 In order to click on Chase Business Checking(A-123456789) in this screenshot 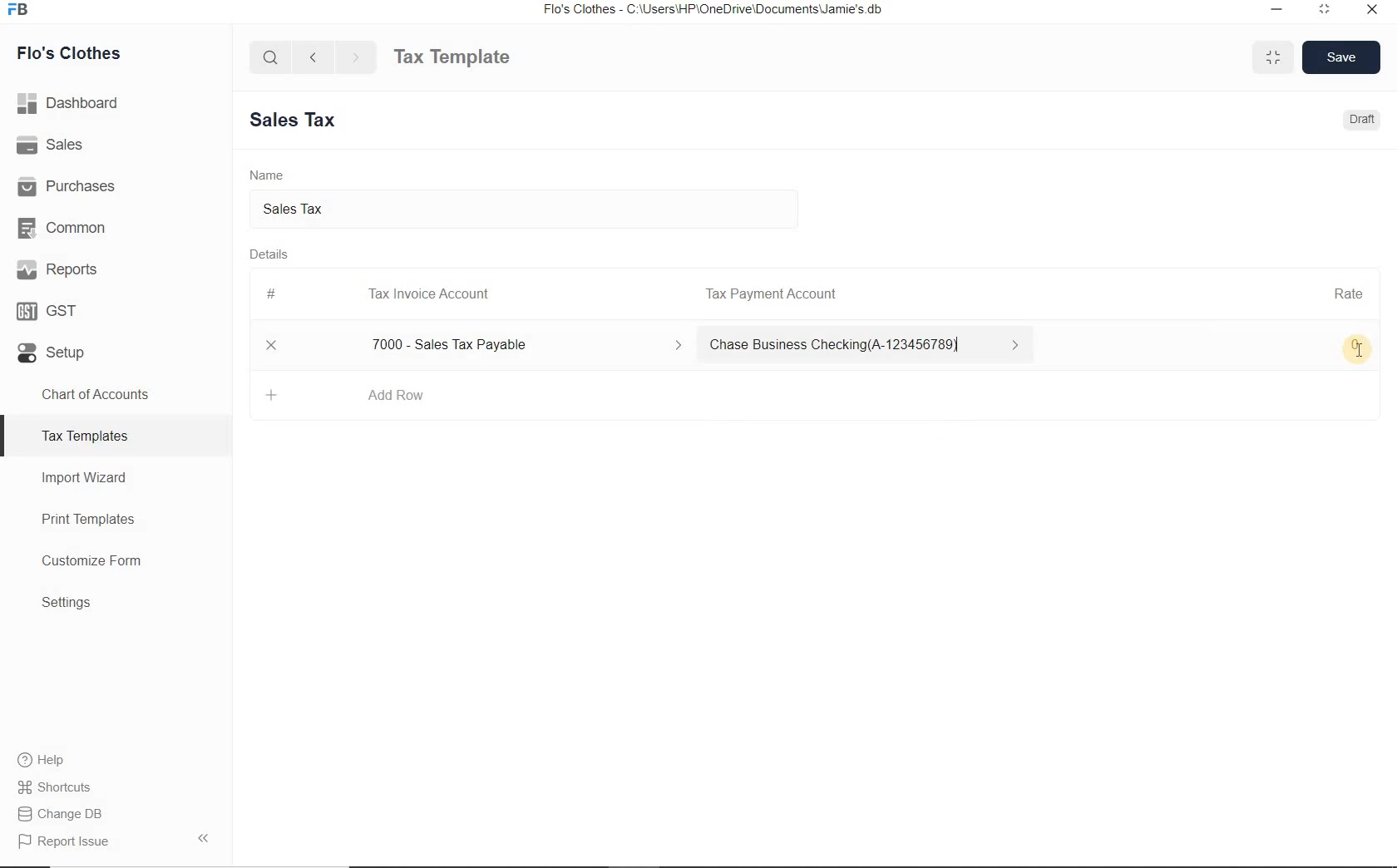, I will do `click(868, 346)`.